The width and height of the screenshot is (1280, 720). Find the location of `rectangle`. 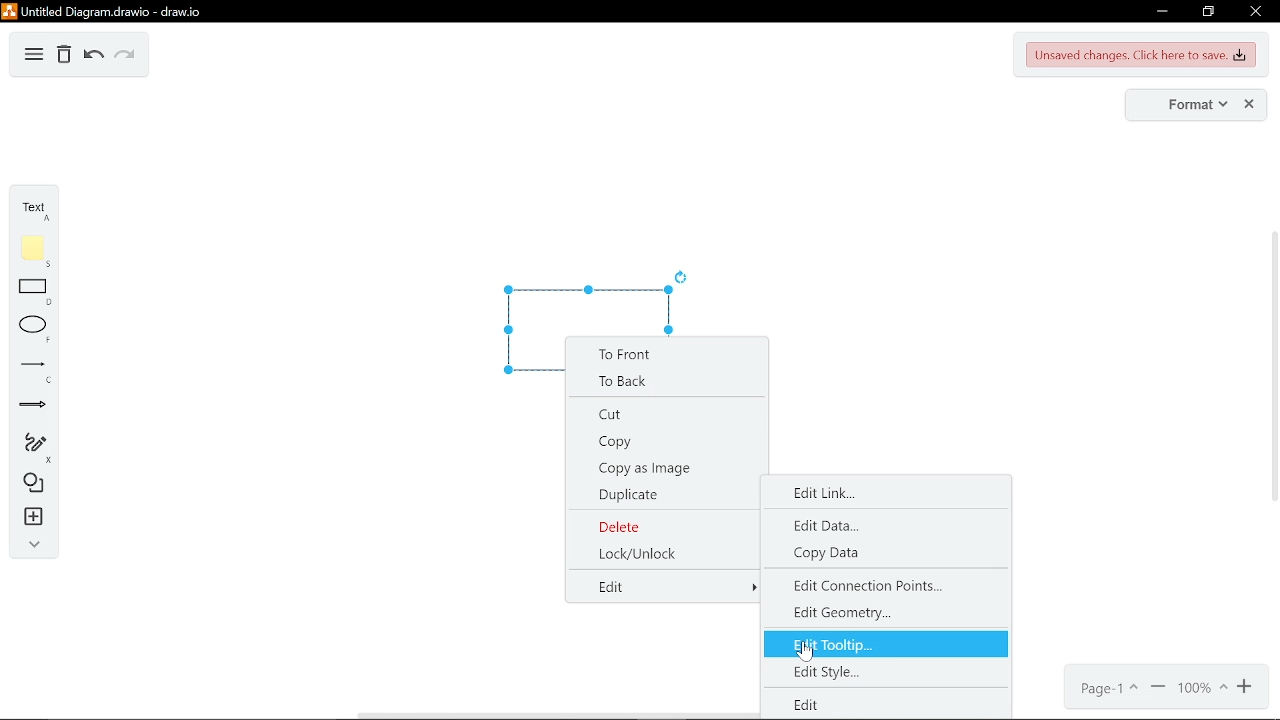

rectangle is located at coordinates (36, 294).